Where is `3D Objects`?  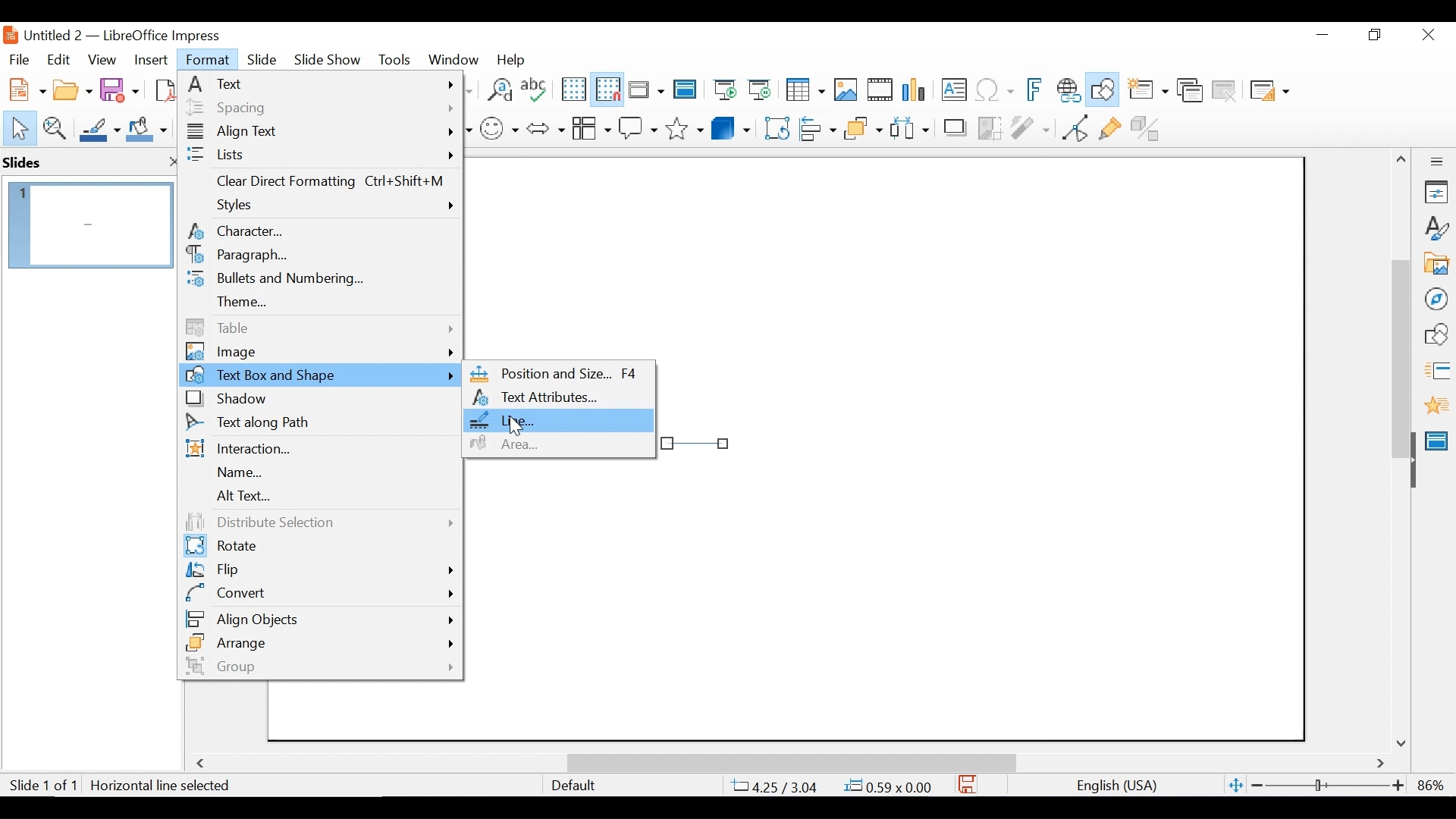
3D Objects is located at coordinates (731, 127).